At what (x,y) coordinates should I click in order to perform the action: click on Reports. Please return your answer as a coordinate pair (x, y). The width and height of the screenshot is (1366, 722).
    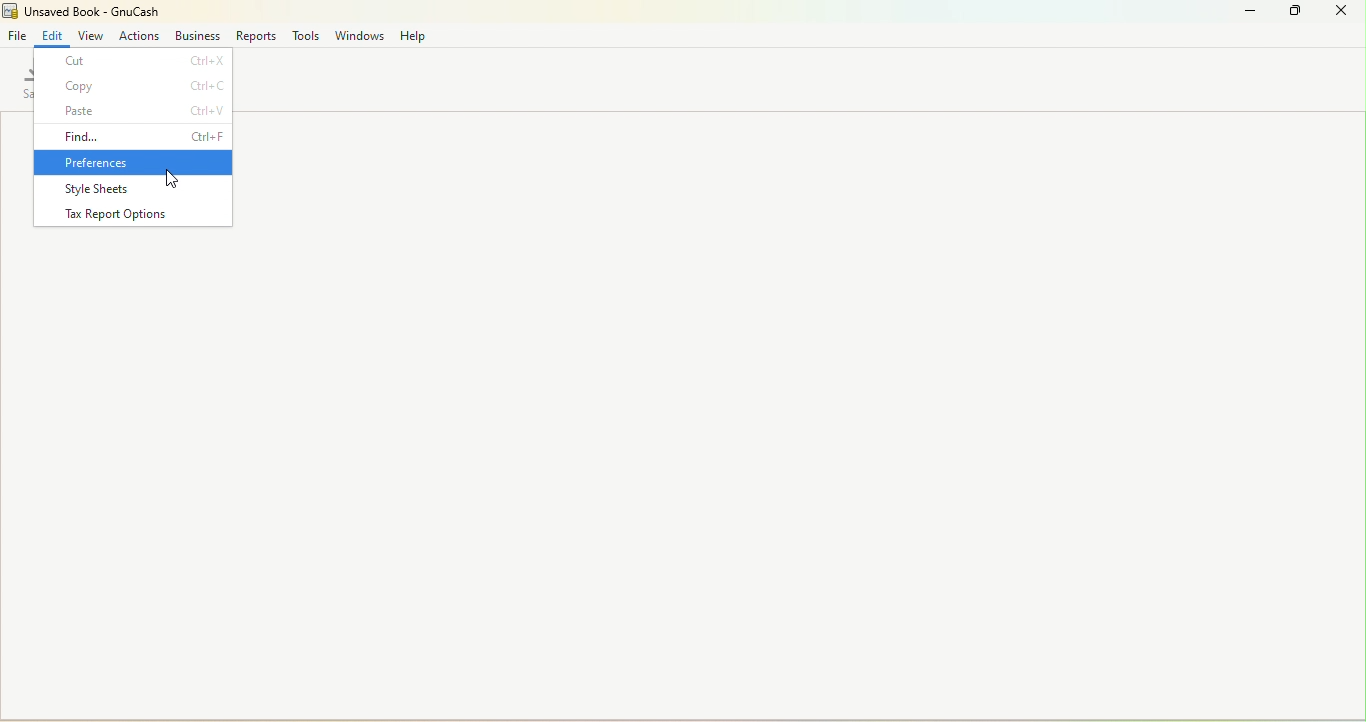
    Looking at the image, I should click on (257, 37).